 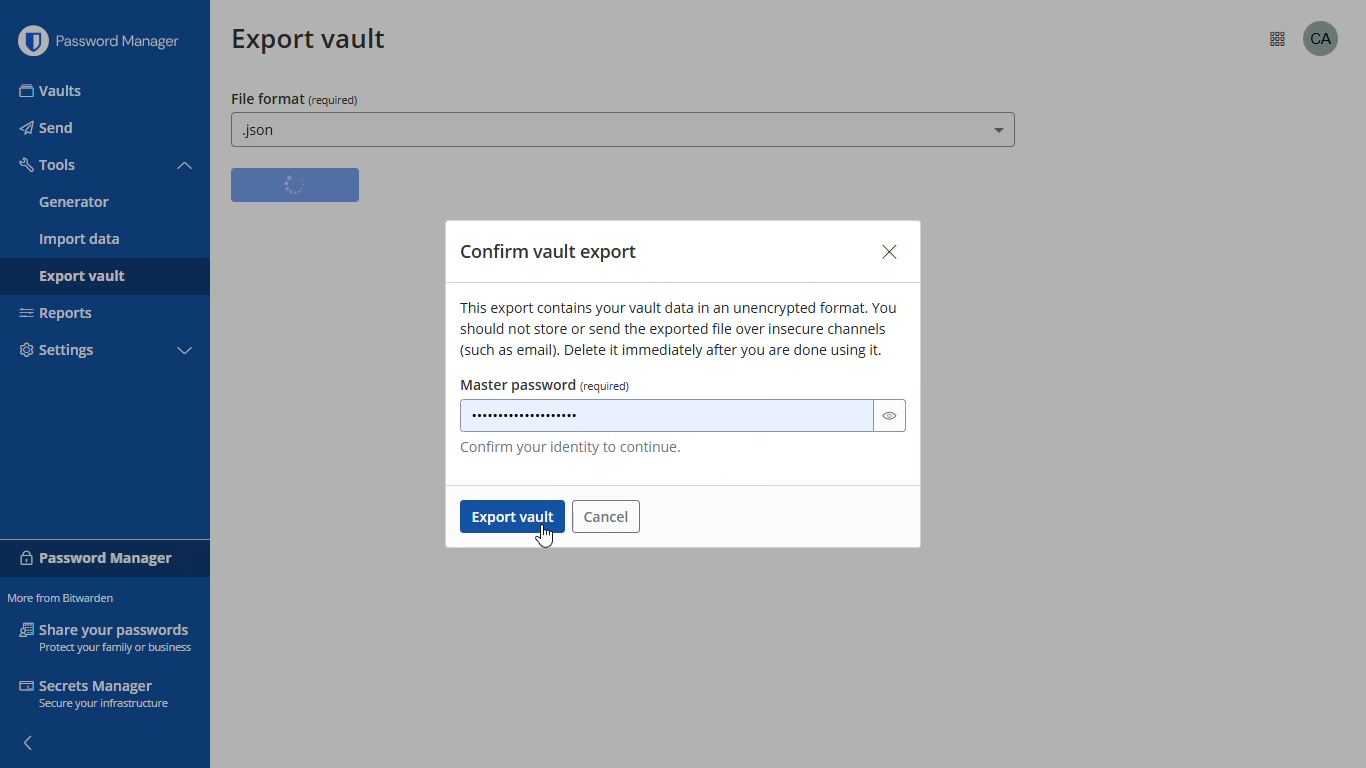 I want to click on password manager, so click(x=123, y=42).